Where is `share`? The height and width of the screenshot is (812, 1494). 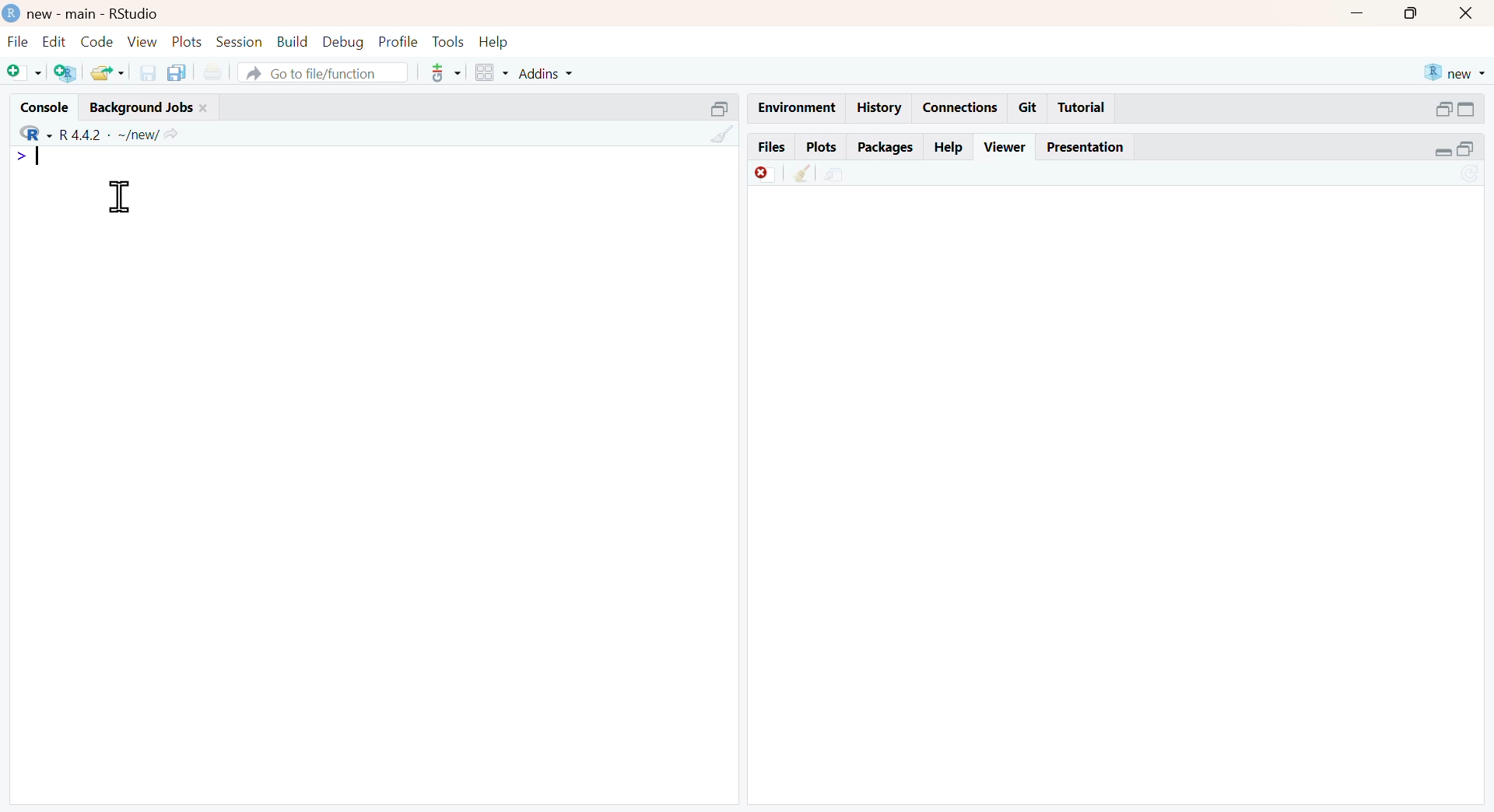
share is located at coordinates (833, 174).